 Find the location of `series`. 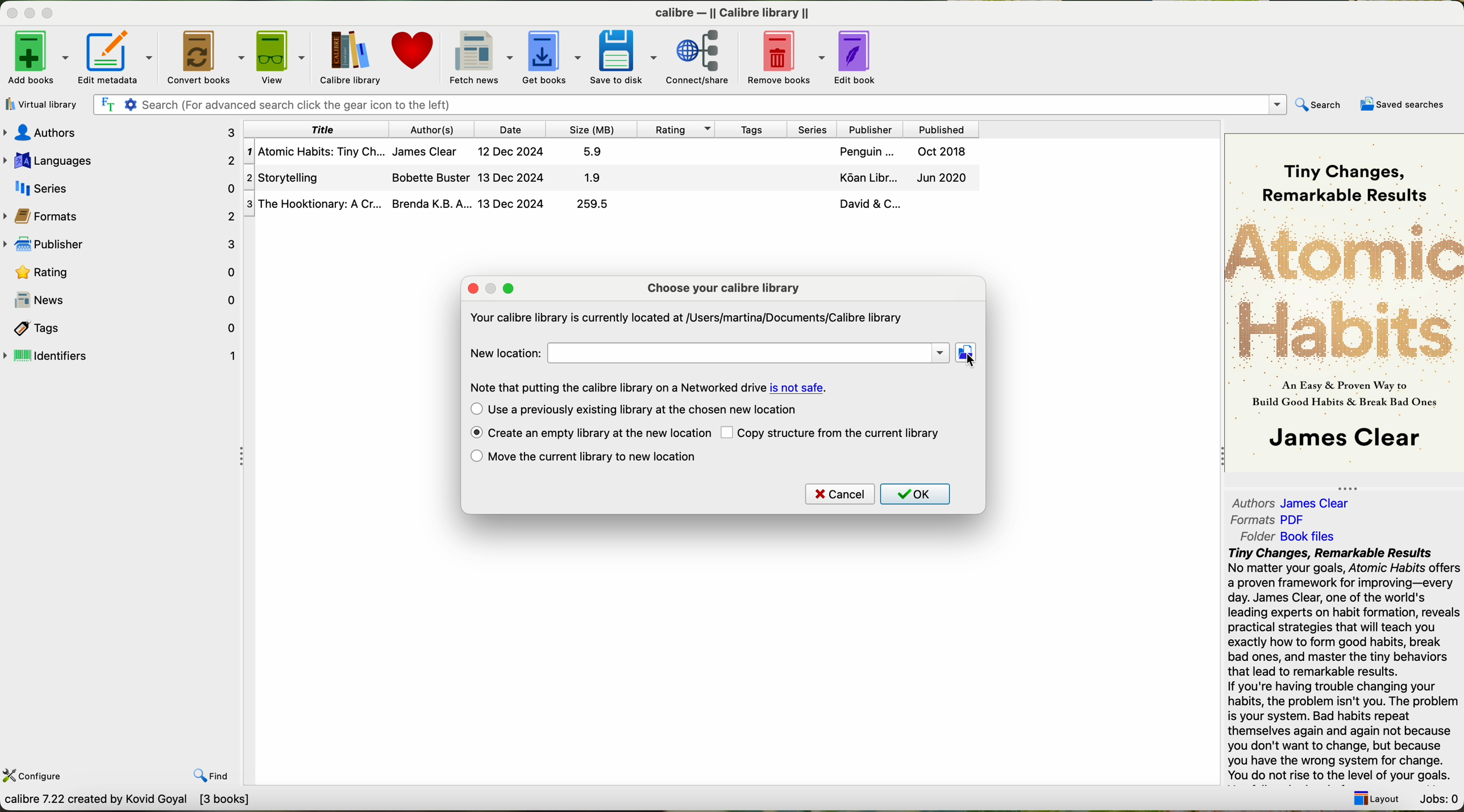

series is located at coordinates (120, 186).